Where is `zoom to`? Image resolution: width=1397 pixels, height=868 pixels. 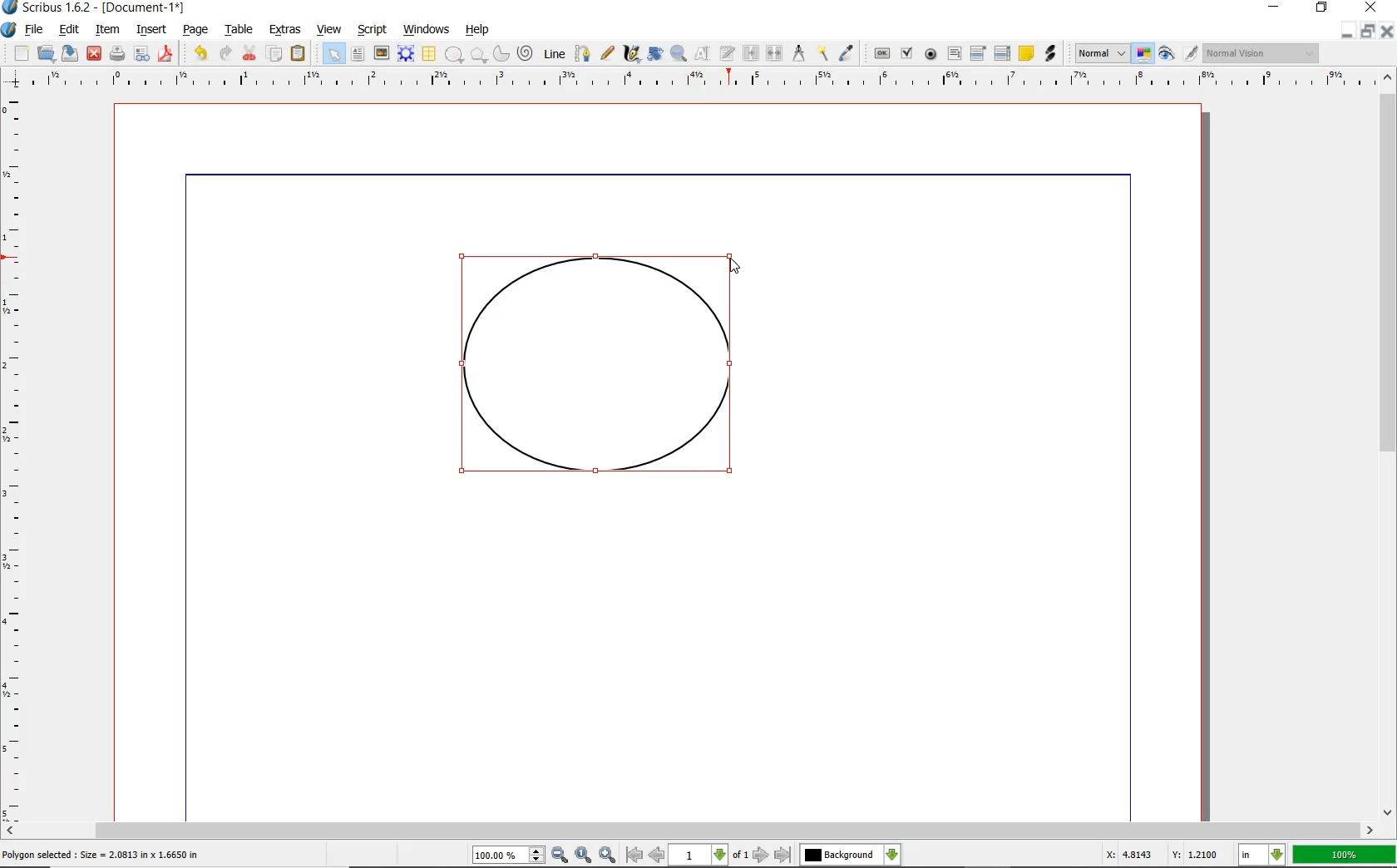
zoom to is located at coordinates (585, 855).